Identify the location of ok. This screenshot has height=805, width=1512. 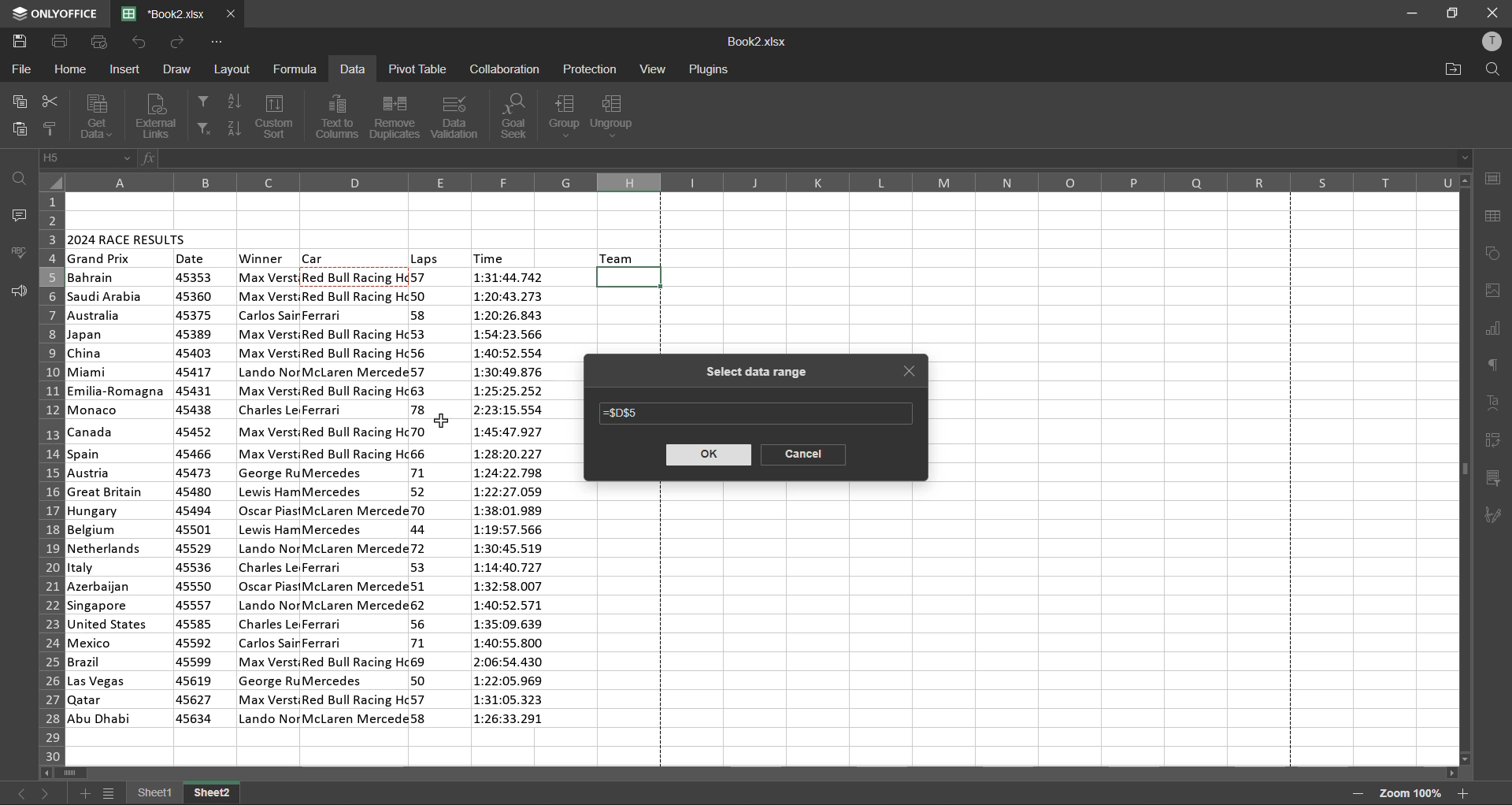
(707, 456).